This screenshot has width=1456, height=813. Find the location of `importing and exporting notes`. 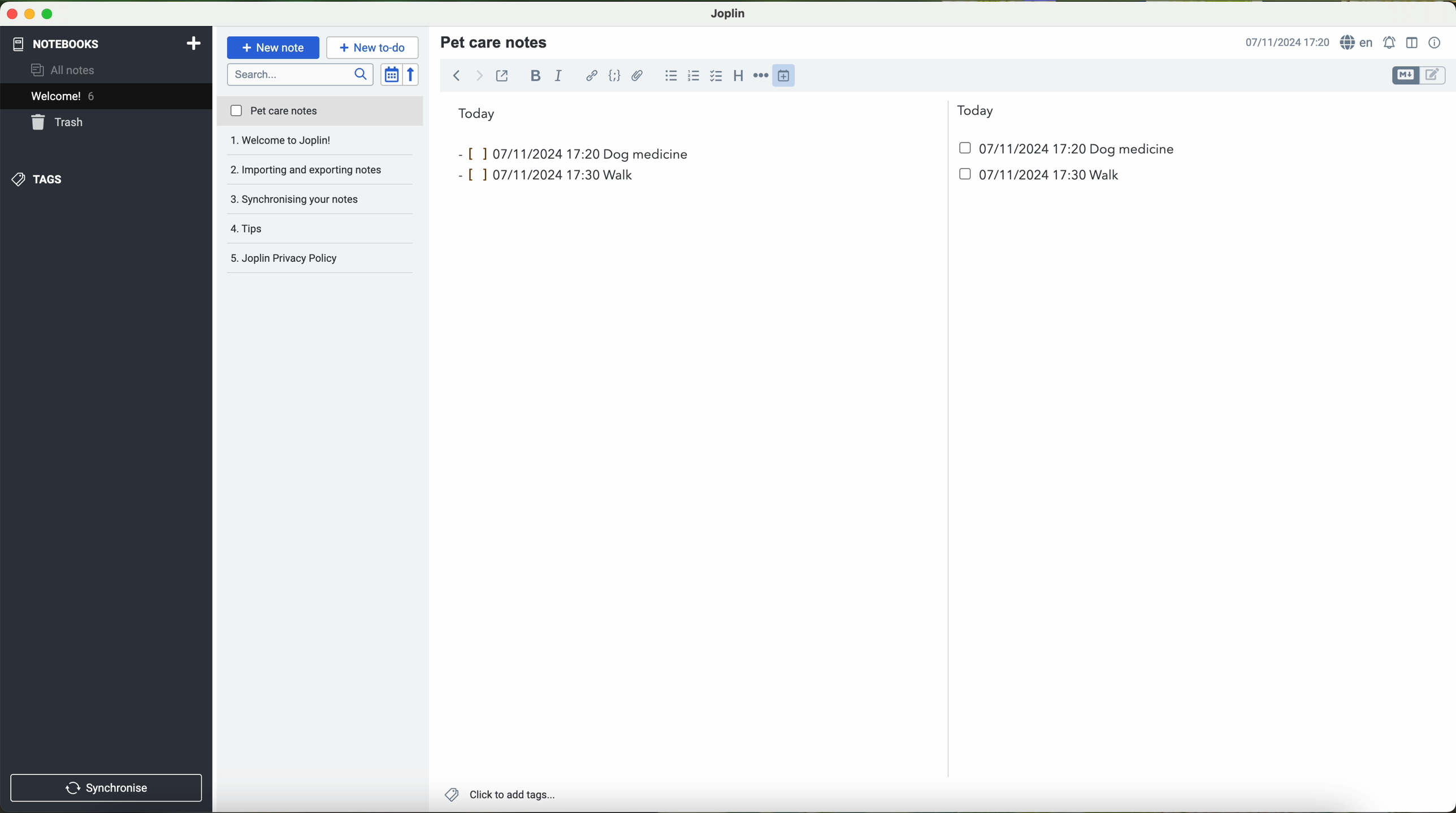

importing and exporting notes is located at coordinates (320, 144).